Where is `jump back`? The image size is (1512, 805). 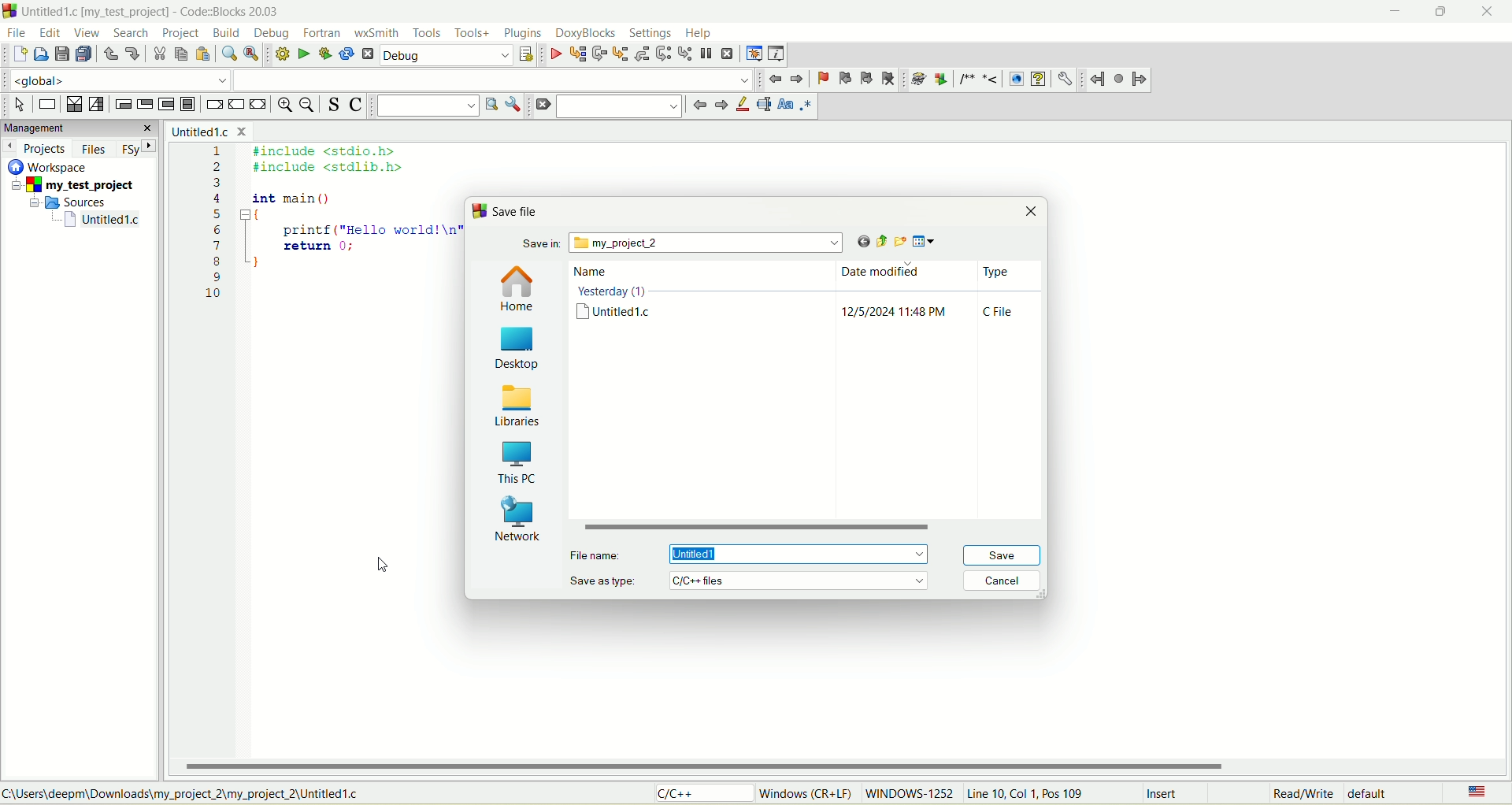 jump back is located at coordinates (697, 105).